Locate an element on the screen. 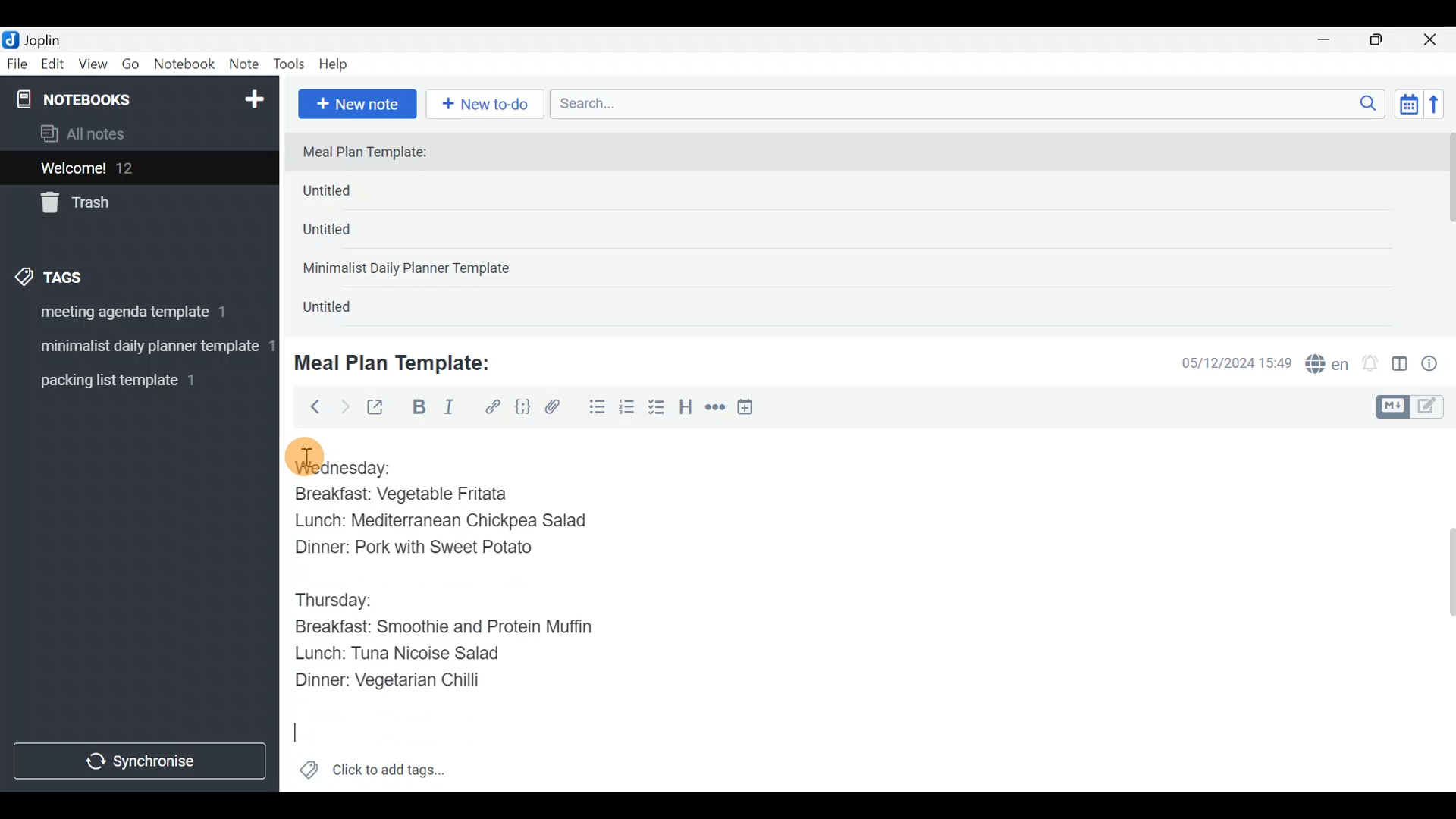 This screenshot has width=1456, height=819. Note is located at coordinates (247, 65).